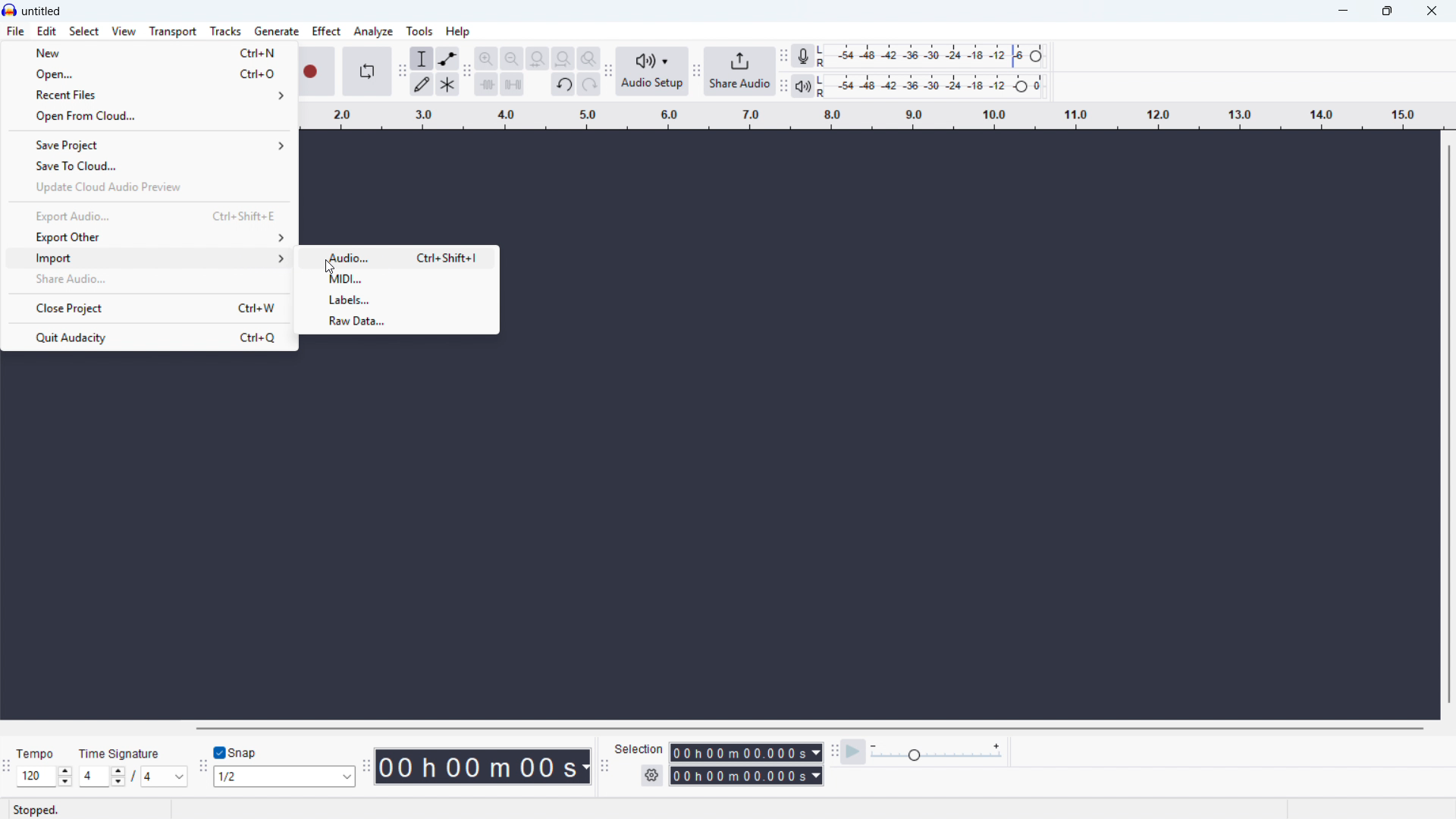 The height and width of the screenshot is (819, 1456). What do you see at coordinates (39, 754) in the screenshot?
I see `Tempo` at bounding box center [39, 754].